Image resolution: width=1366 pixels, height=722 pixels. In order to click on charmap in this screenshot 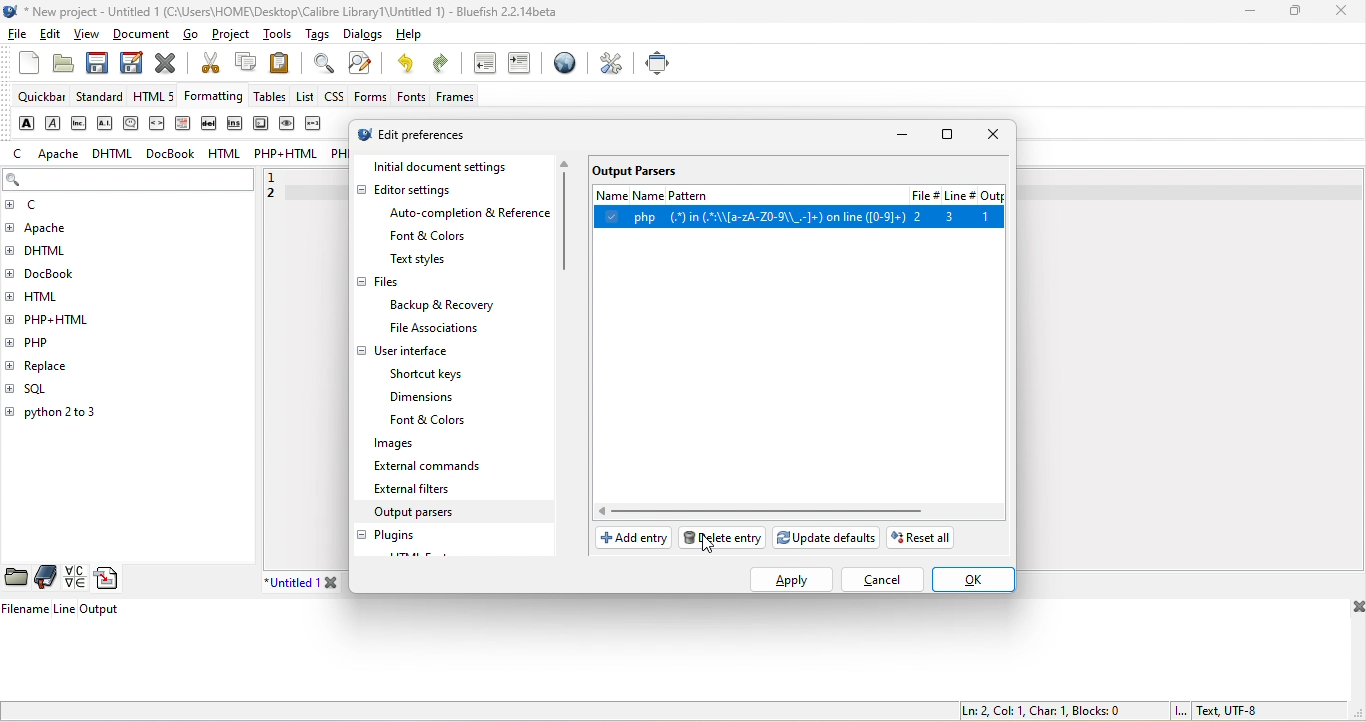, I will do `click(74, 578)`.